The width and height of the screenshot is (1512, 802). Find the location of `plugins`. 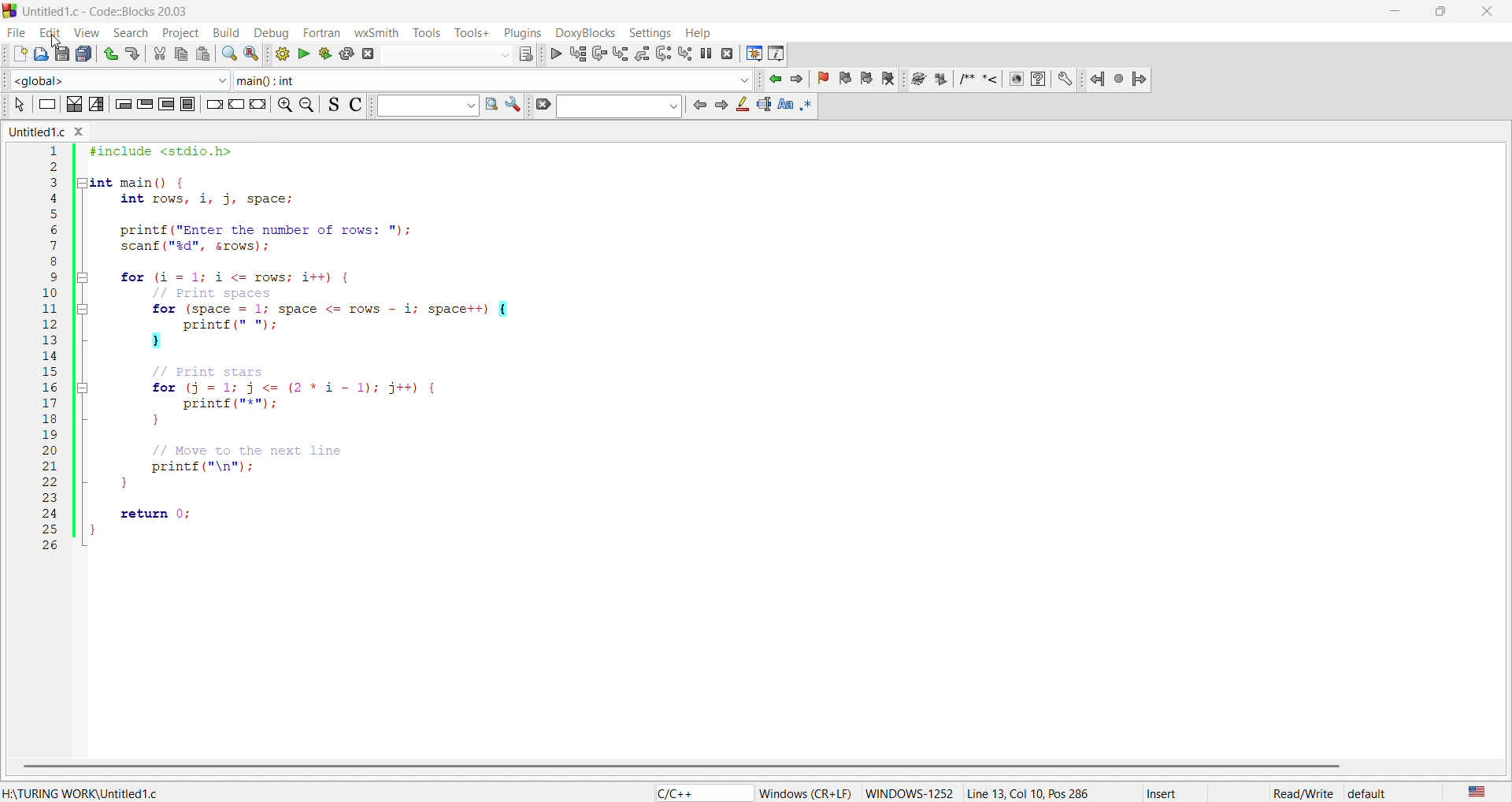

plugins is located at coordinates (521, 32).